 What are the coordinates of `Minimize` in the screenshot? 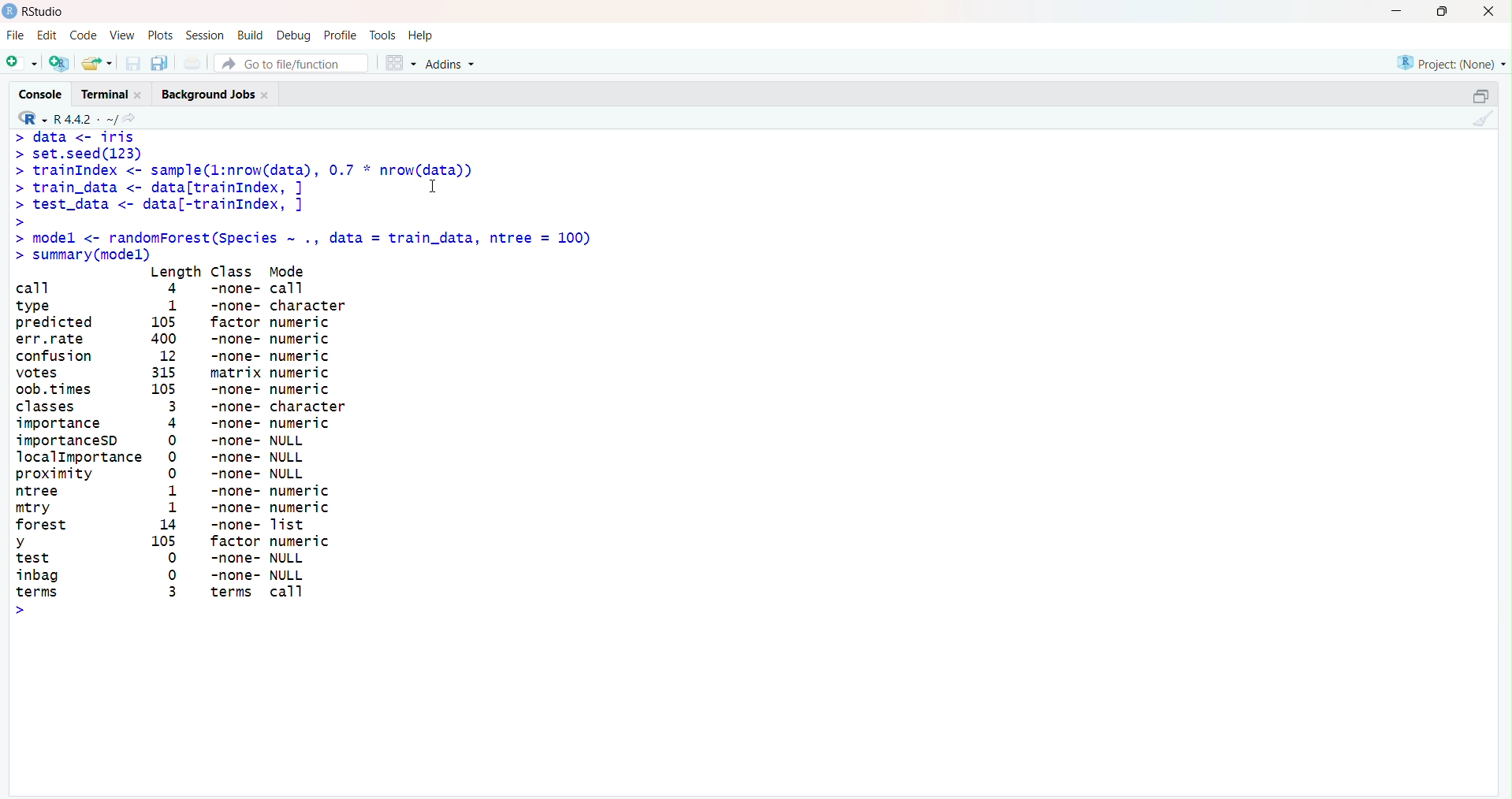 It's located at (1398, 10).